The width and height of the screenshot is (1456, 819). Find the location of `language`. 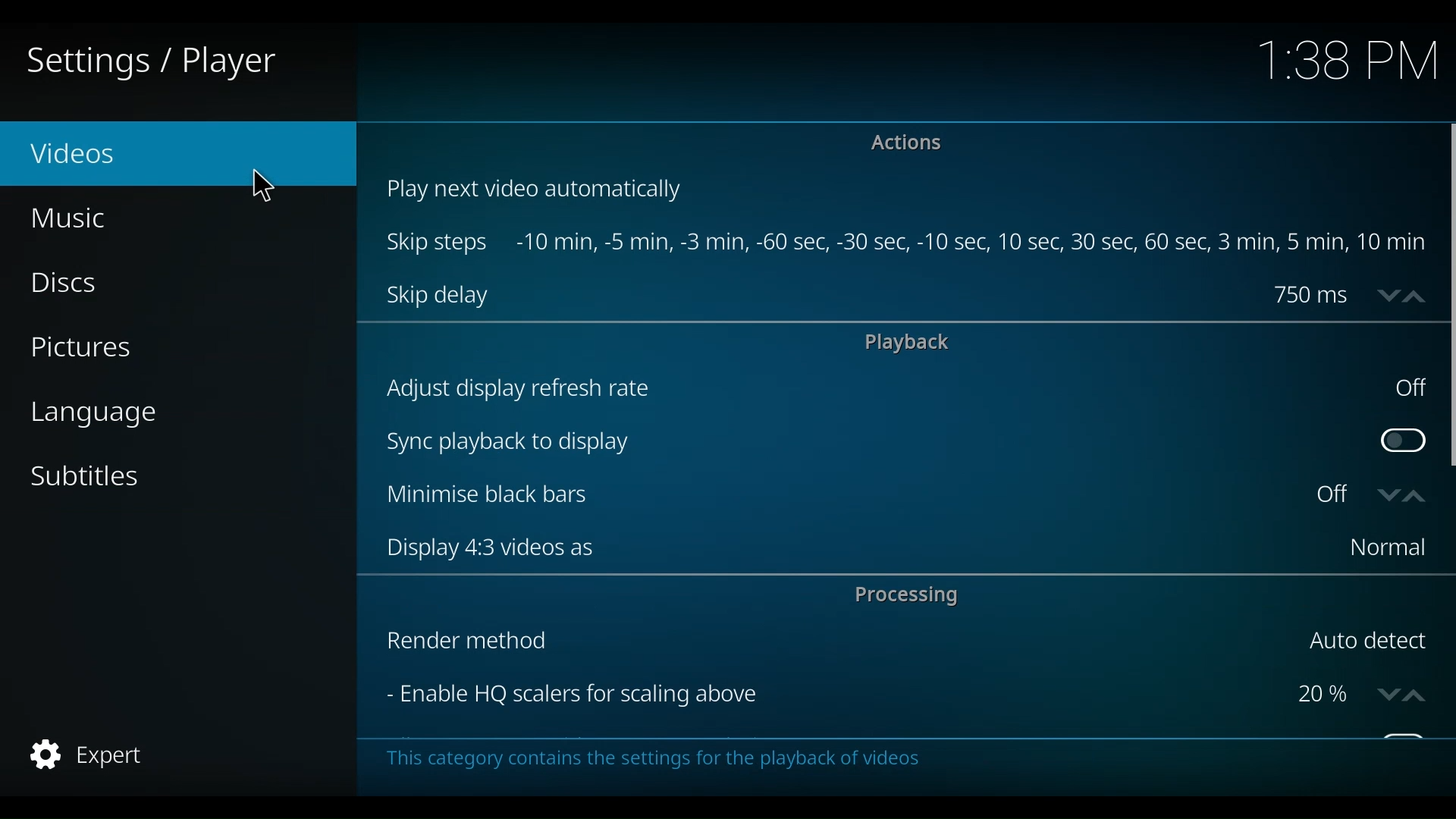

language is located at coordinates (93, 415).